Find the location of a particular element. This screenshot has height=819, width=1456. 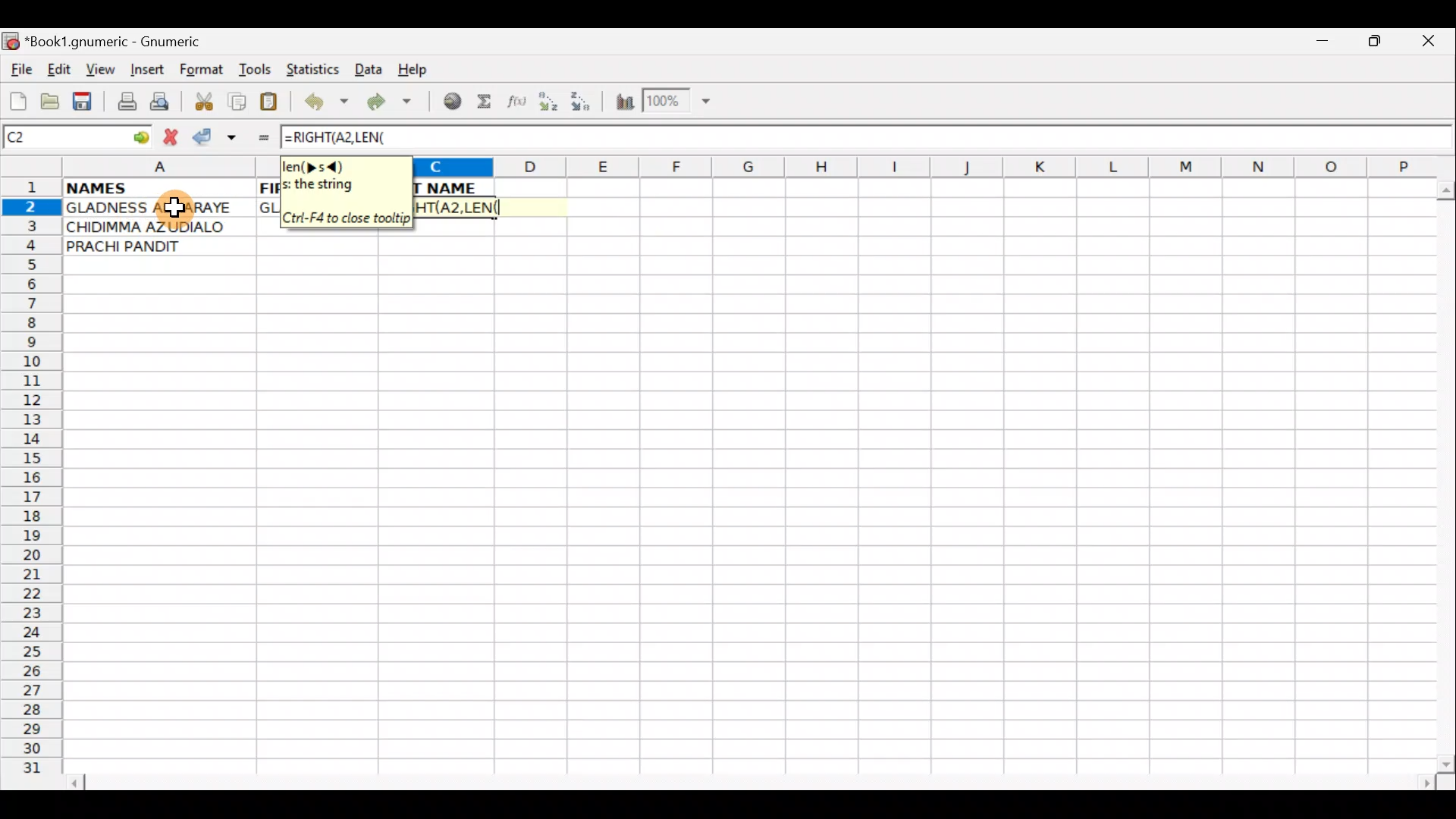

Formula bar is located at coordinates (929, 137).